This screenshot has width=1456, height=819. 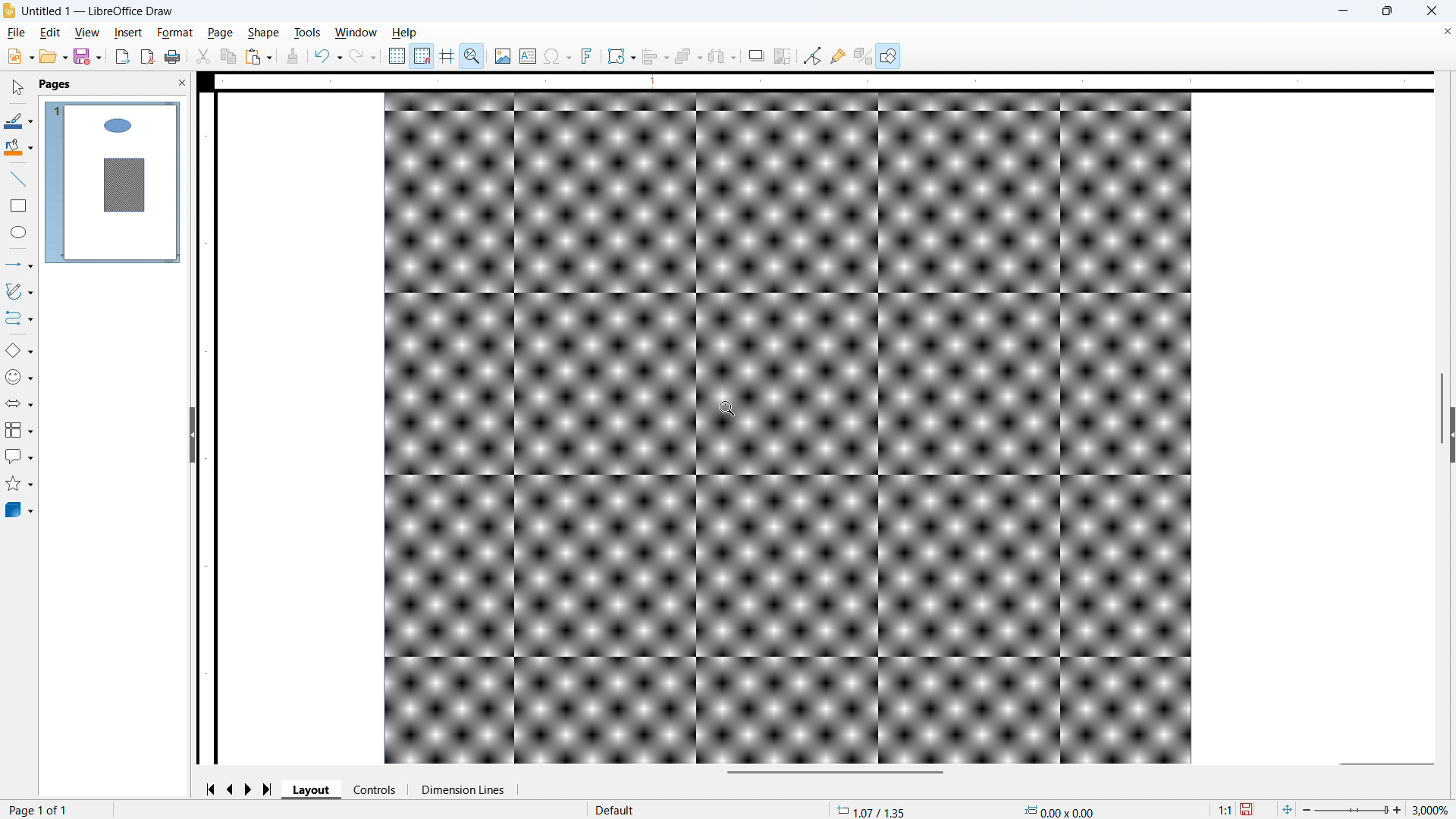 What do you see at coordinates (1341, 11) in the screenshot?
I see `minimise ` at bounding box center [1341, 11].